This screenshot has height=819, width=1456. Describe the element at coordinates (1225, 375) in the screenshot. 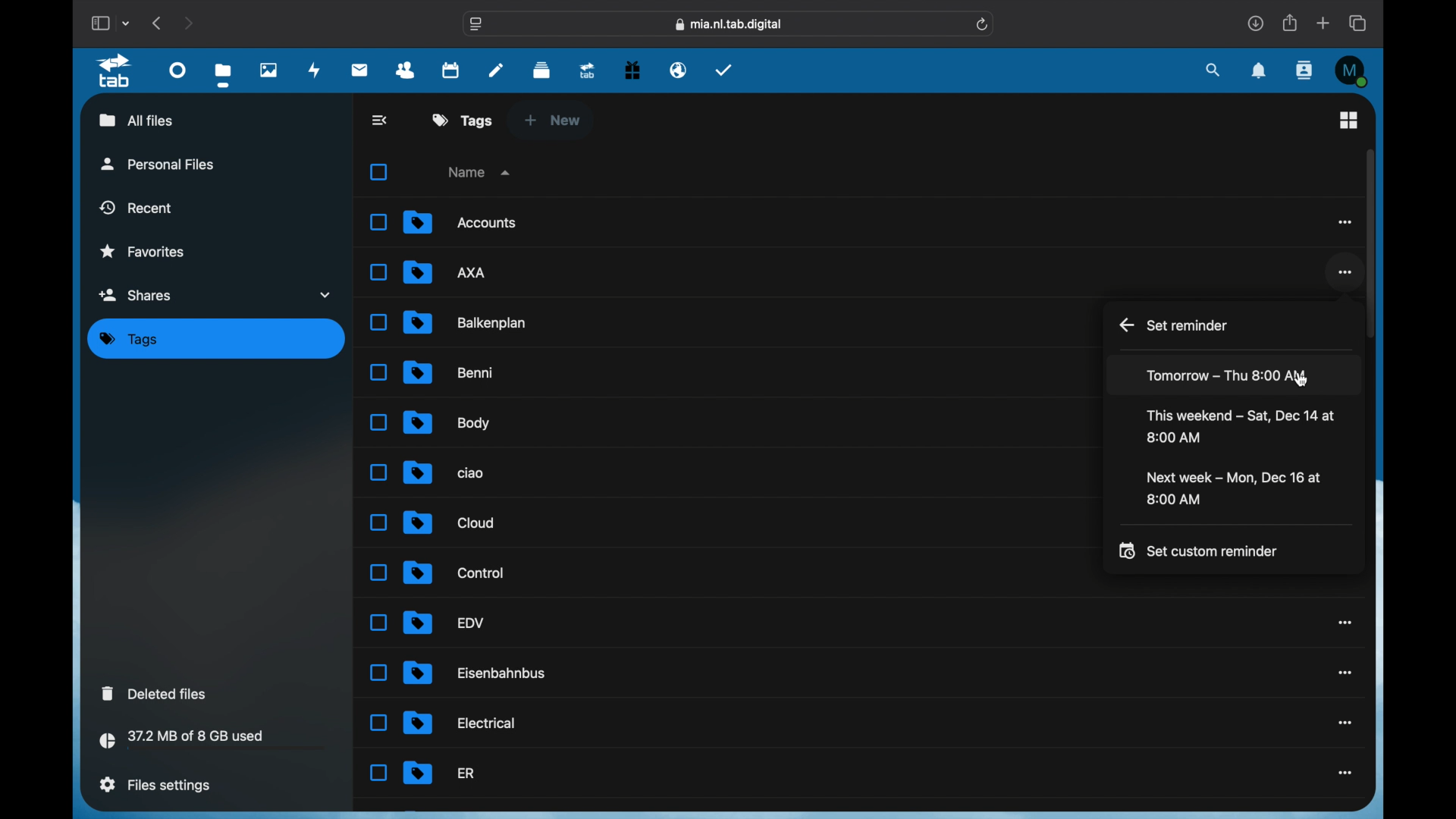

I see `tomorrow` at that location.